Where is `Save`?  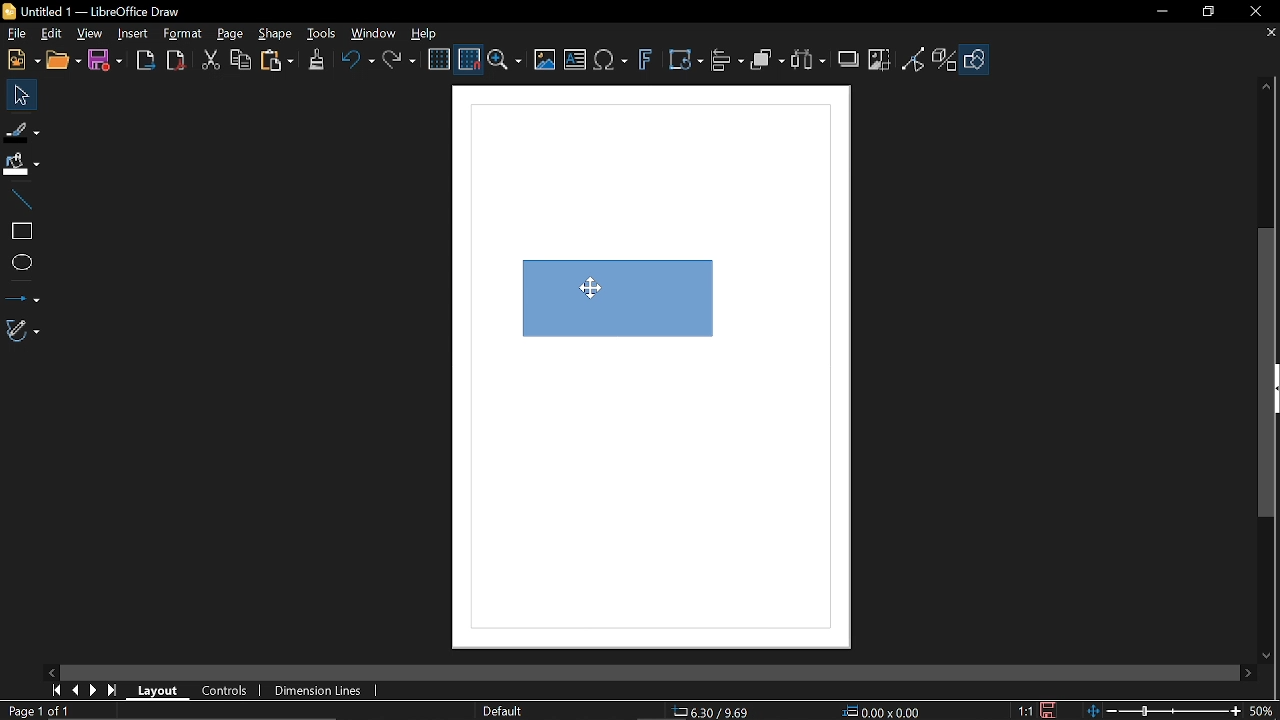 Save is located at coordinates (104, 62).